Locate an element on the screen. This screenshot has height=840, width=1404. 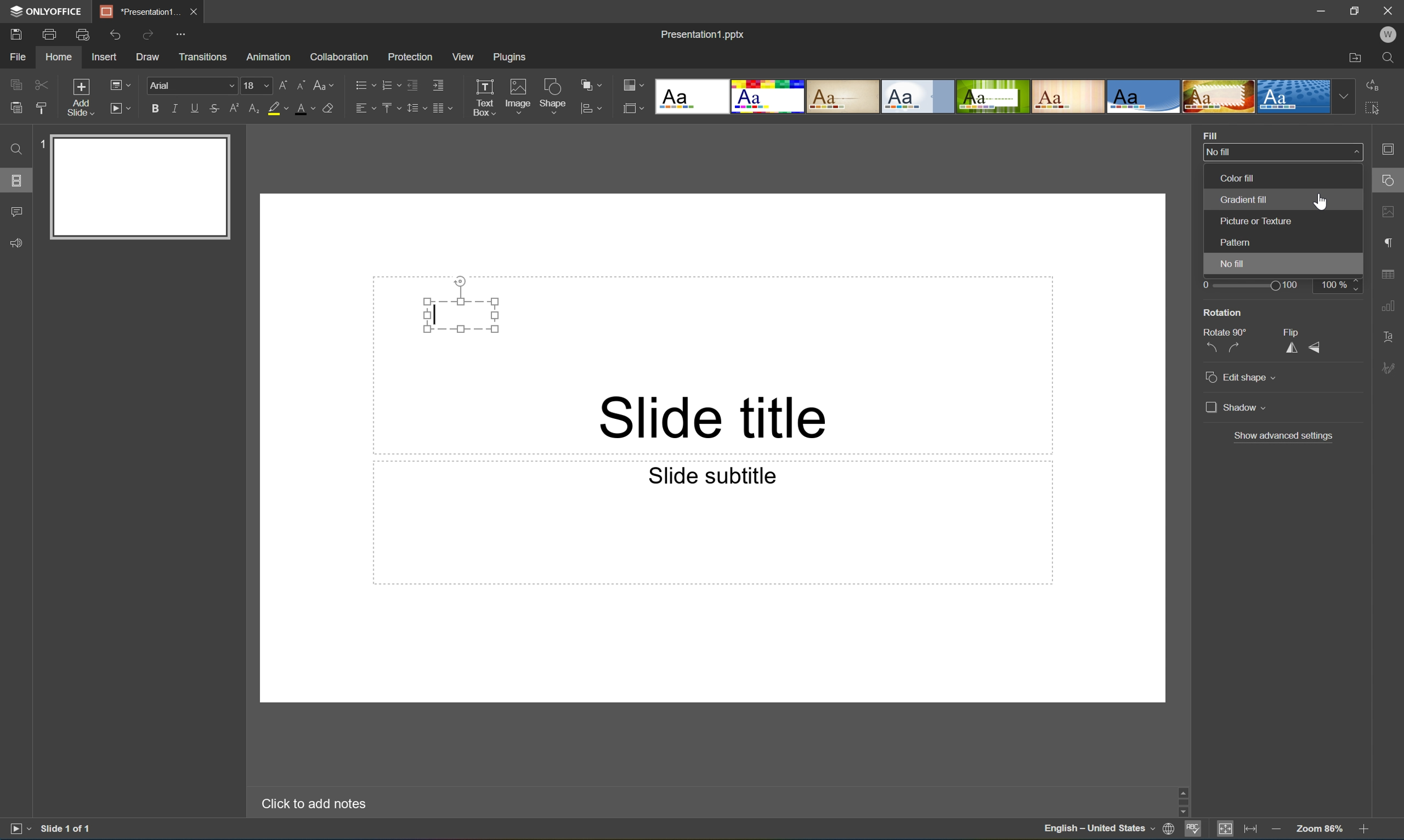
Decrement font size is located at coordinates (300, 83).